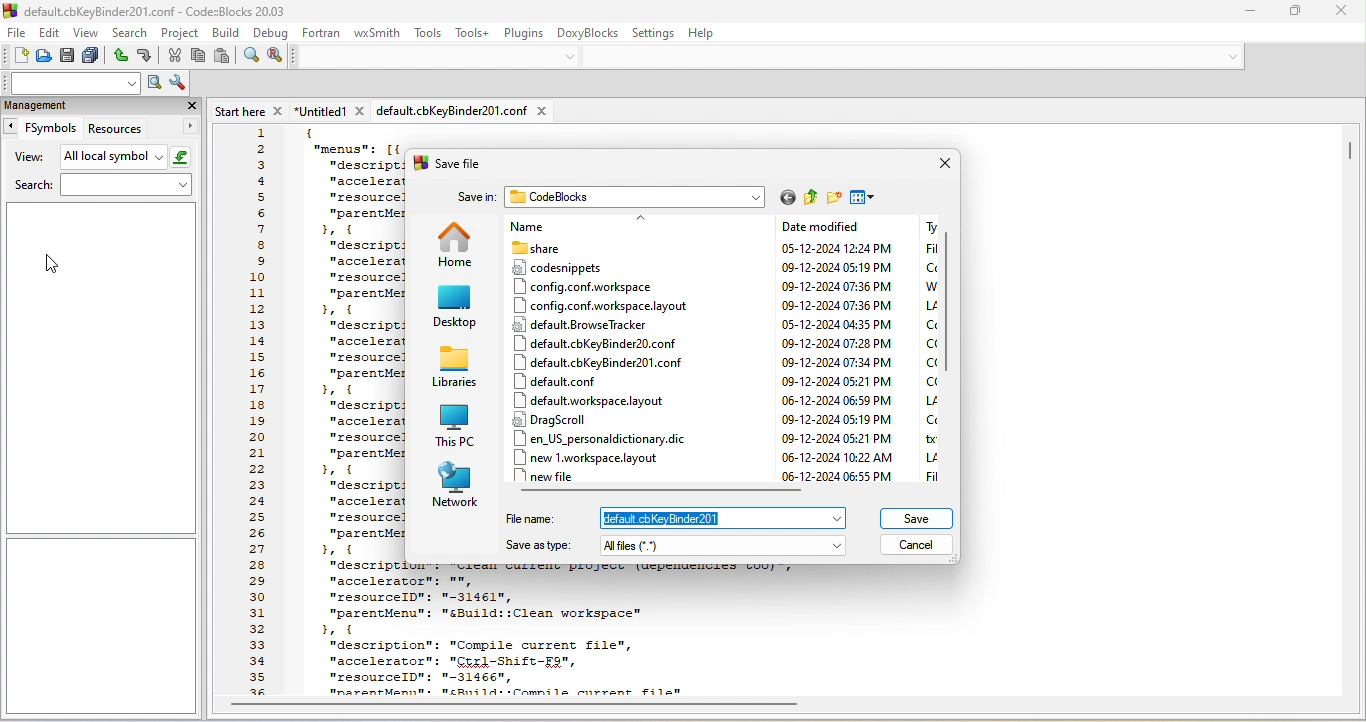 The height and width of the screenshot is (722, 1366). What do you see at coordinates (788, 198) in the screenshot?
I see `go to last folder` at bounding box center [788, 198].